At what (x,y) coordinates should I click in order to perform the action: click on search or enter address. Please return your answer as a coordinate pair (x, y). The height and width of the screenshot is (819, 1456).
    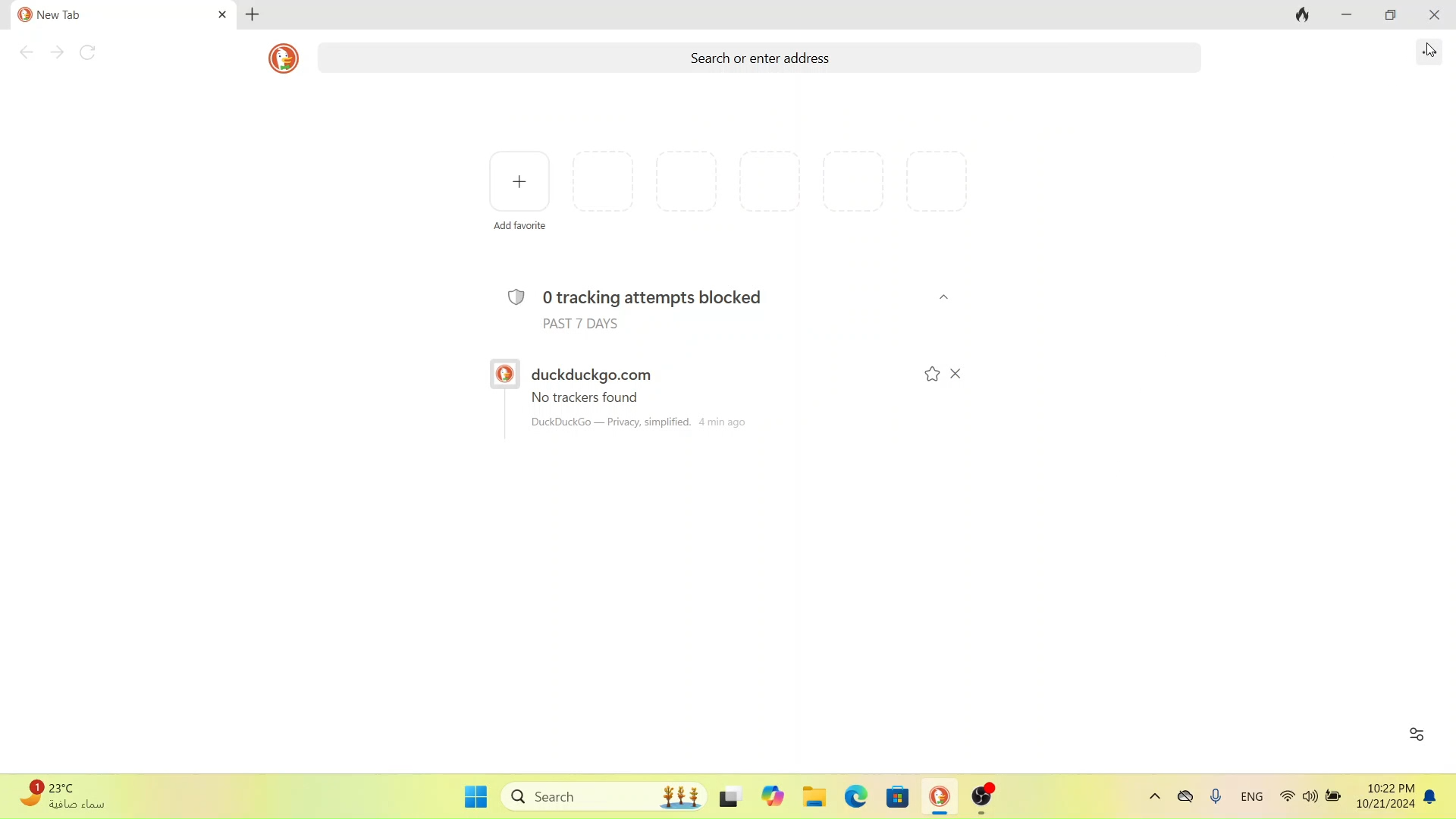
    Looking at the image, I should click on (733, 58).